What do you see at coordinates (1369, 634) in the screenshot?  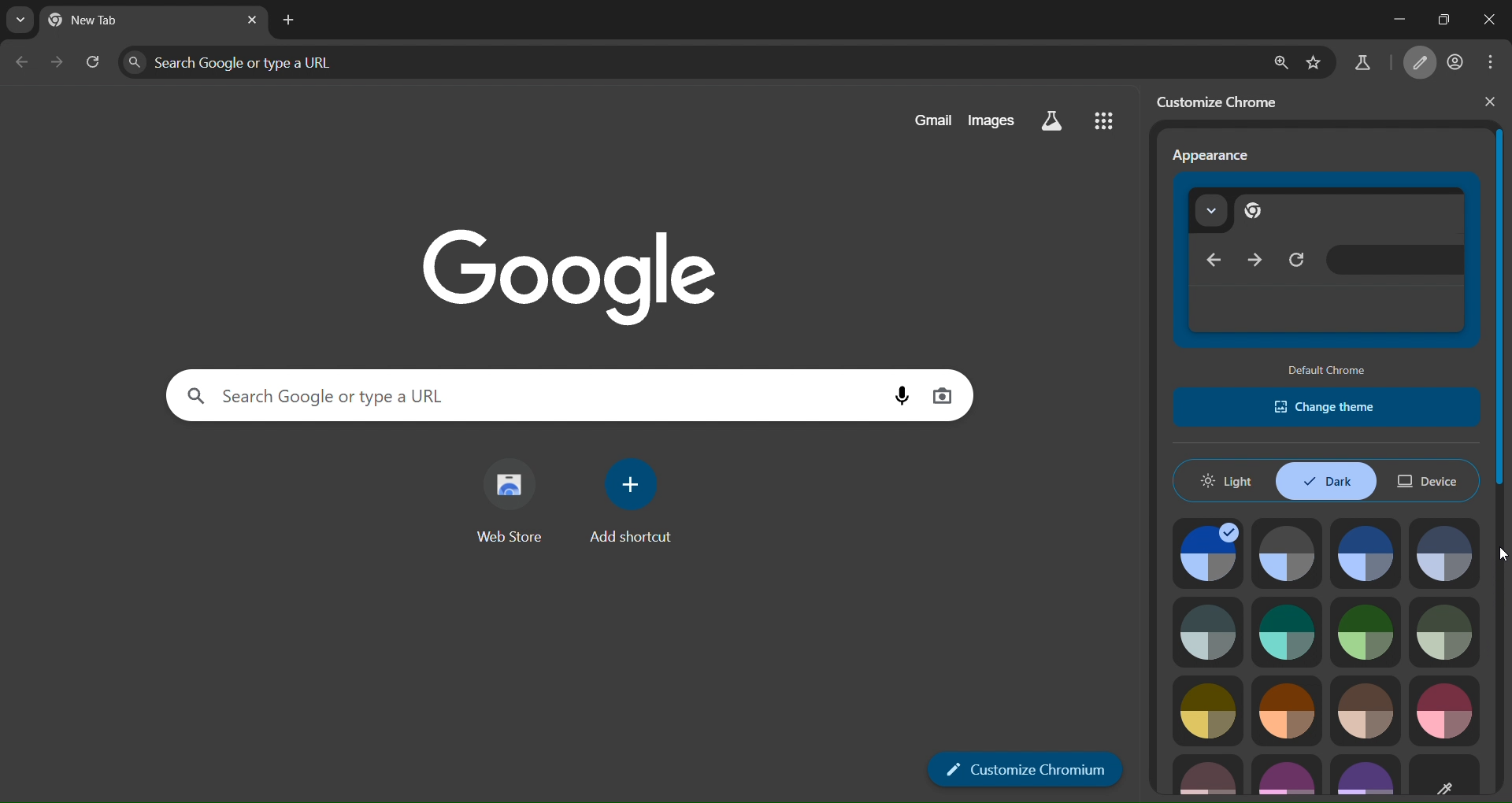 I see `theme` at bounding box center [1369, 634].